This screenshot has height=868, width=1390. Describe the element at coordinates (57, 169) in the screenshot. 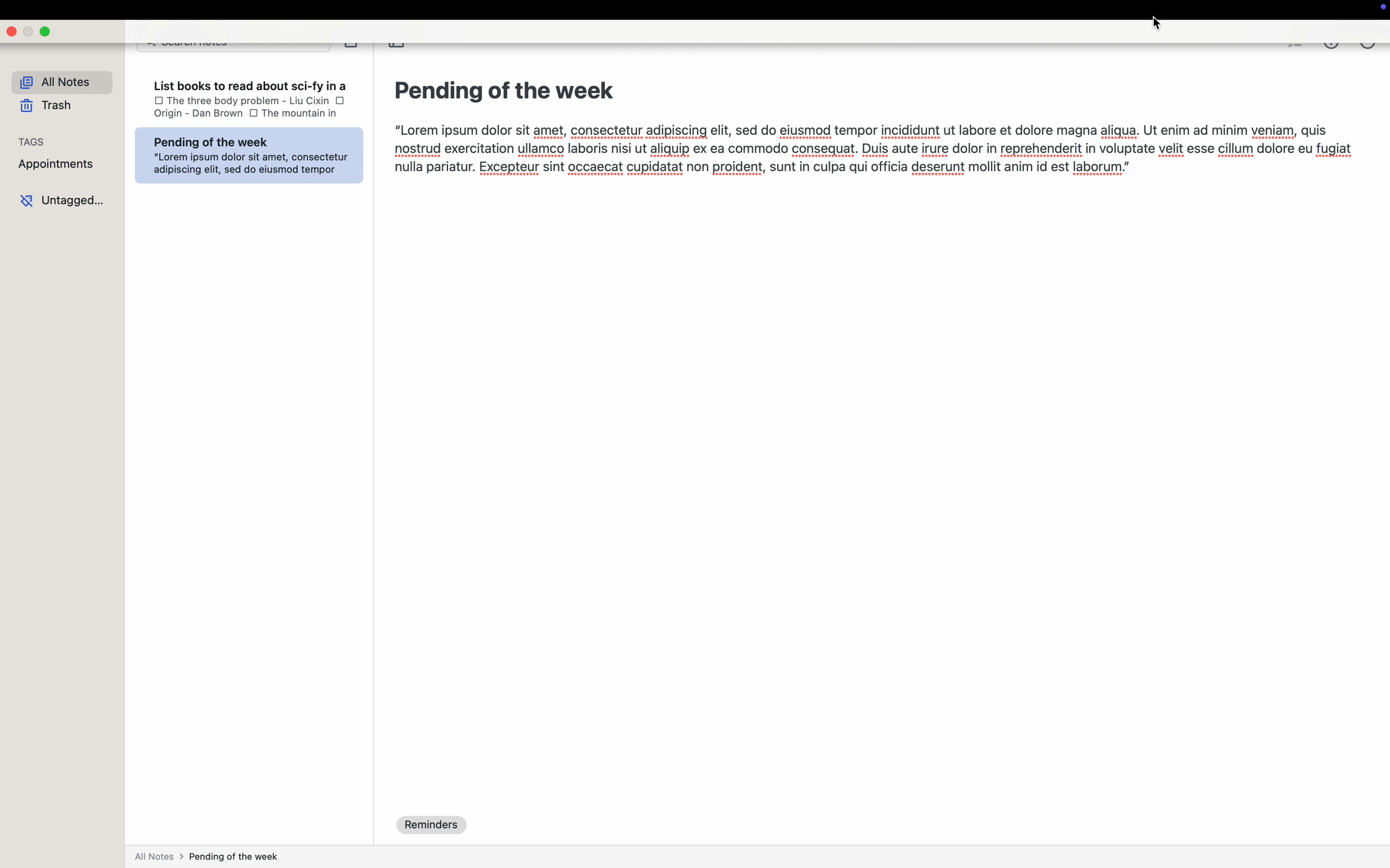

I see `appointments` at that location.